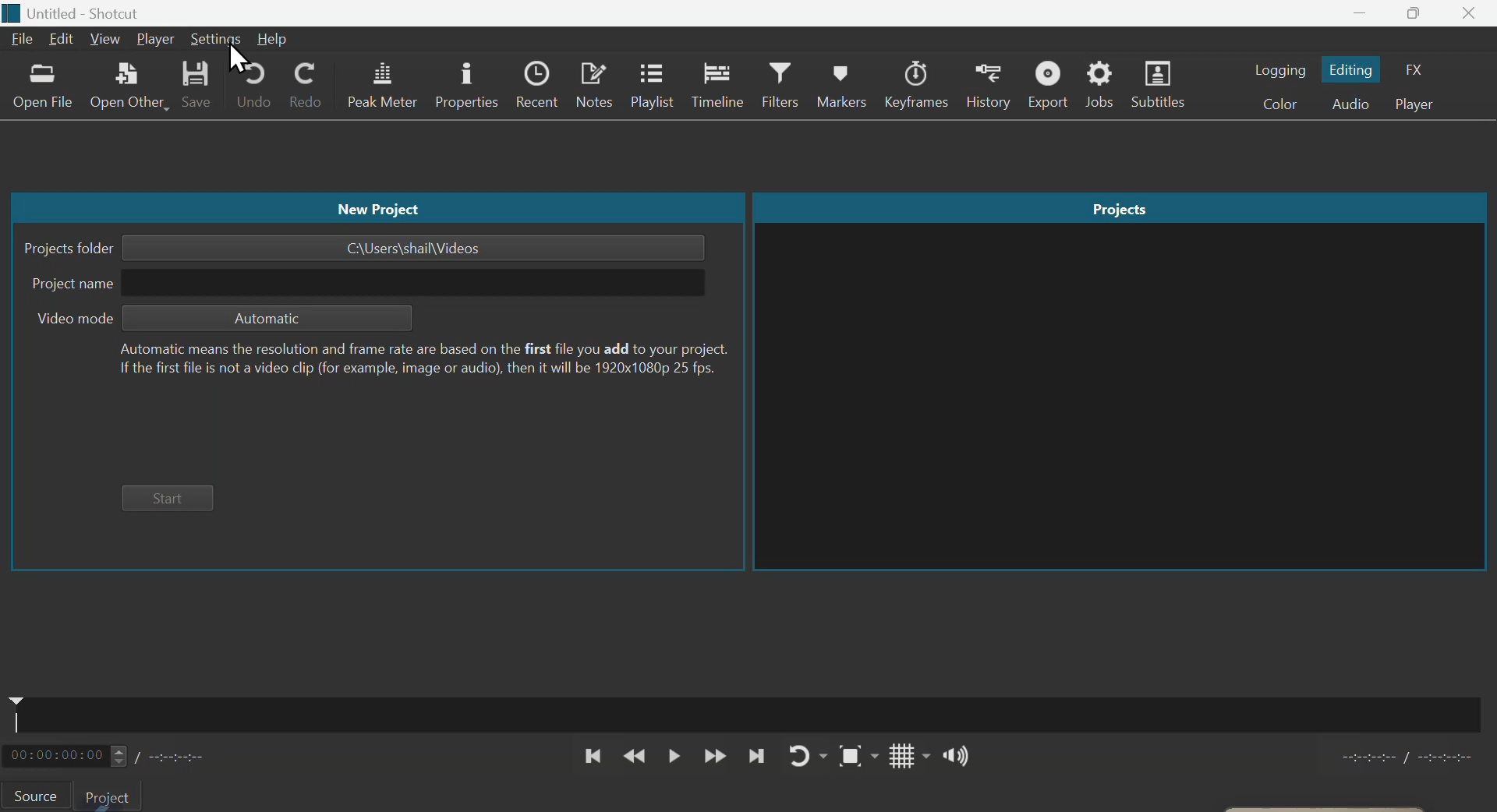 This screenshot has height=812, width=1497. Describe the element at coordinates (115, 796) in the screenshot. I see `project` at that location.